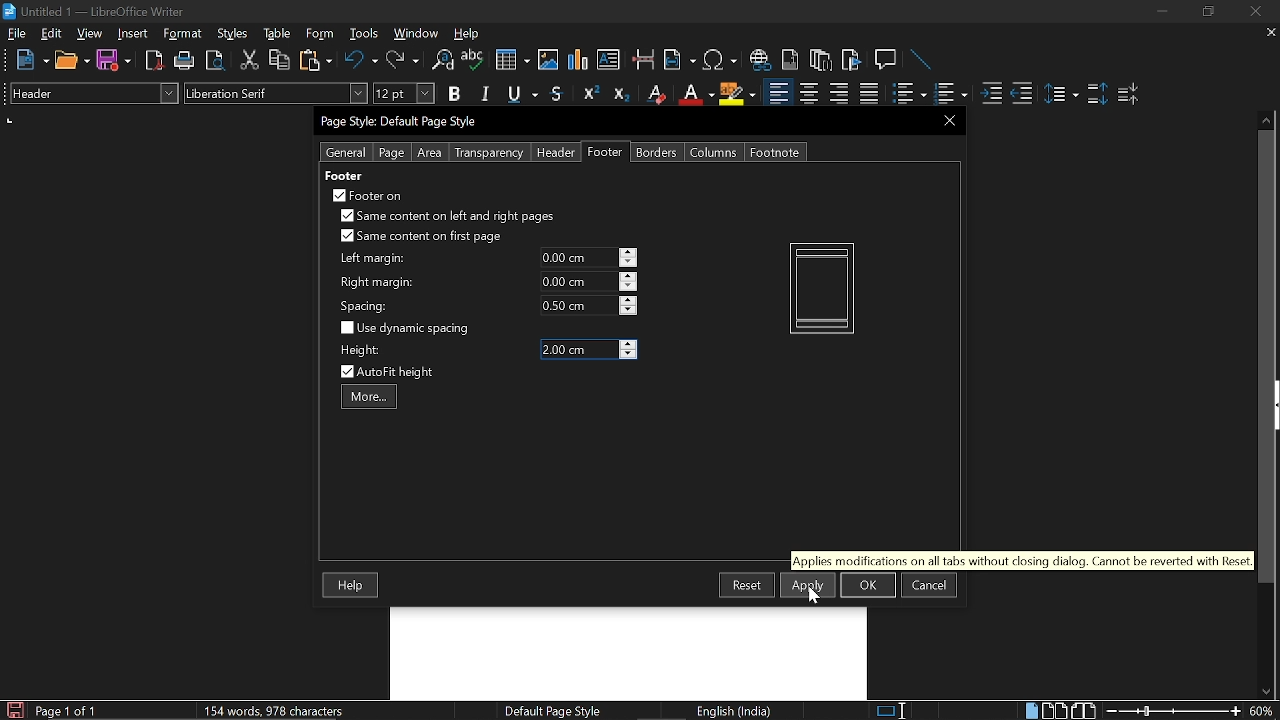 The image size is (1280, 720). What do you see at coordinates (31, 60) in the screenshot?
I see `NEw` at bounding box center [31, 60].